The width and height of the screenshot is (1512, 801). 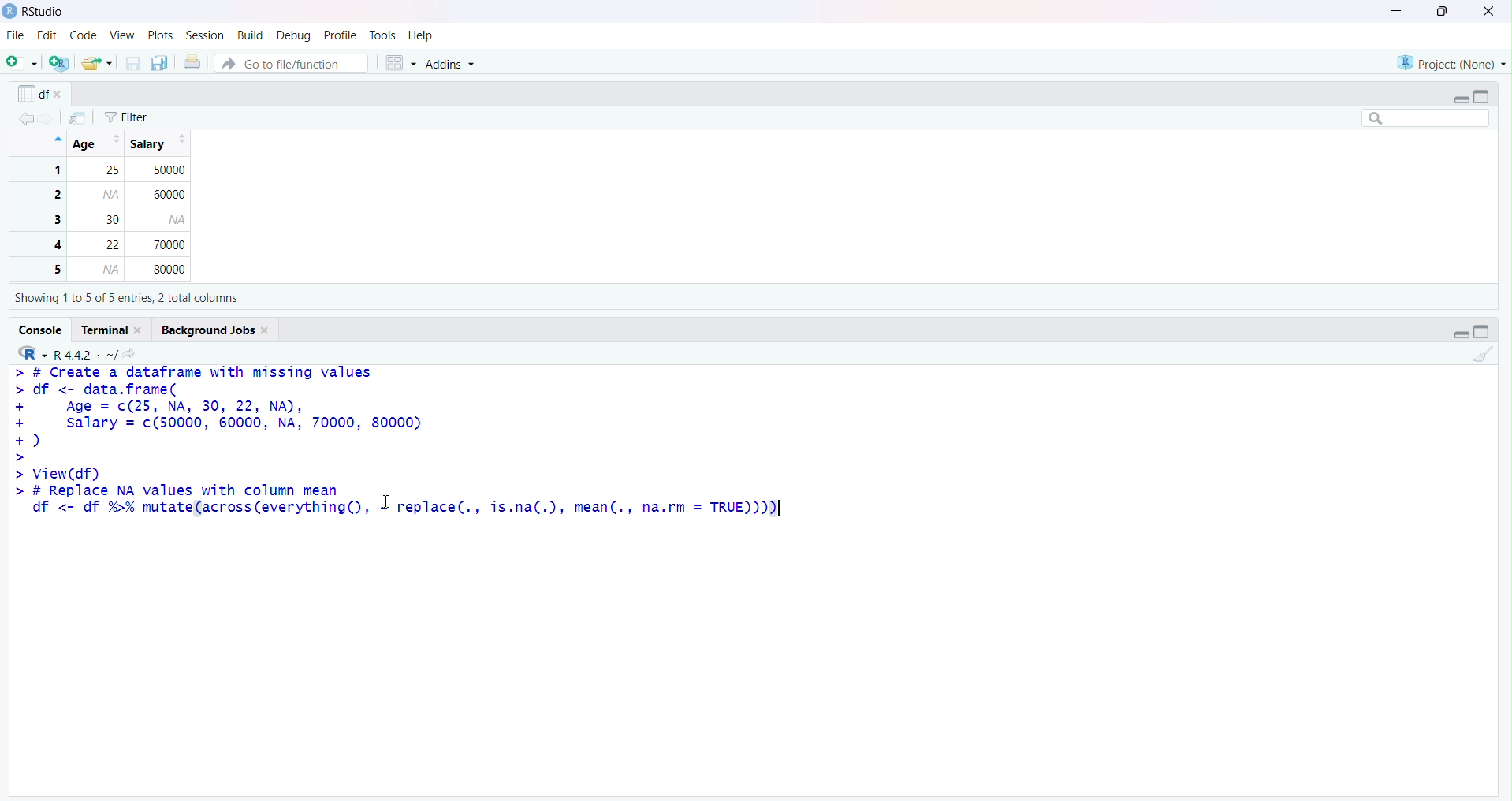 What do you see at coordinates (1487, 97) in the screenshot?
I see `Maximize` at bounding box center [1487, 97].